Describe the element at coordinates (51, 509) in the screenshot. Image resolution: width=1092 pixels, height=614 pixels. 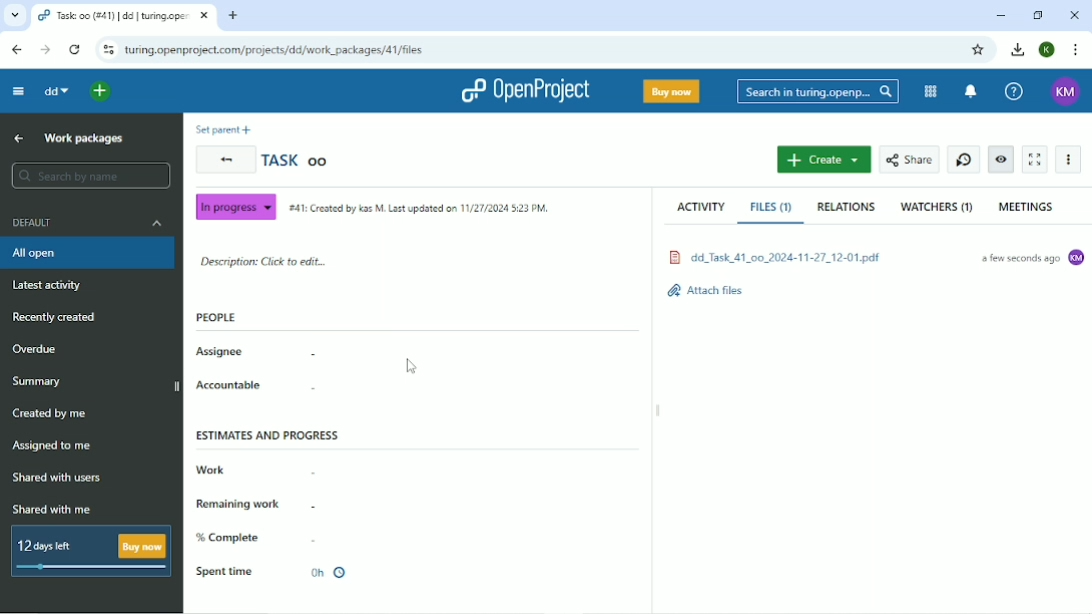
I see `Shared with me` at that location.